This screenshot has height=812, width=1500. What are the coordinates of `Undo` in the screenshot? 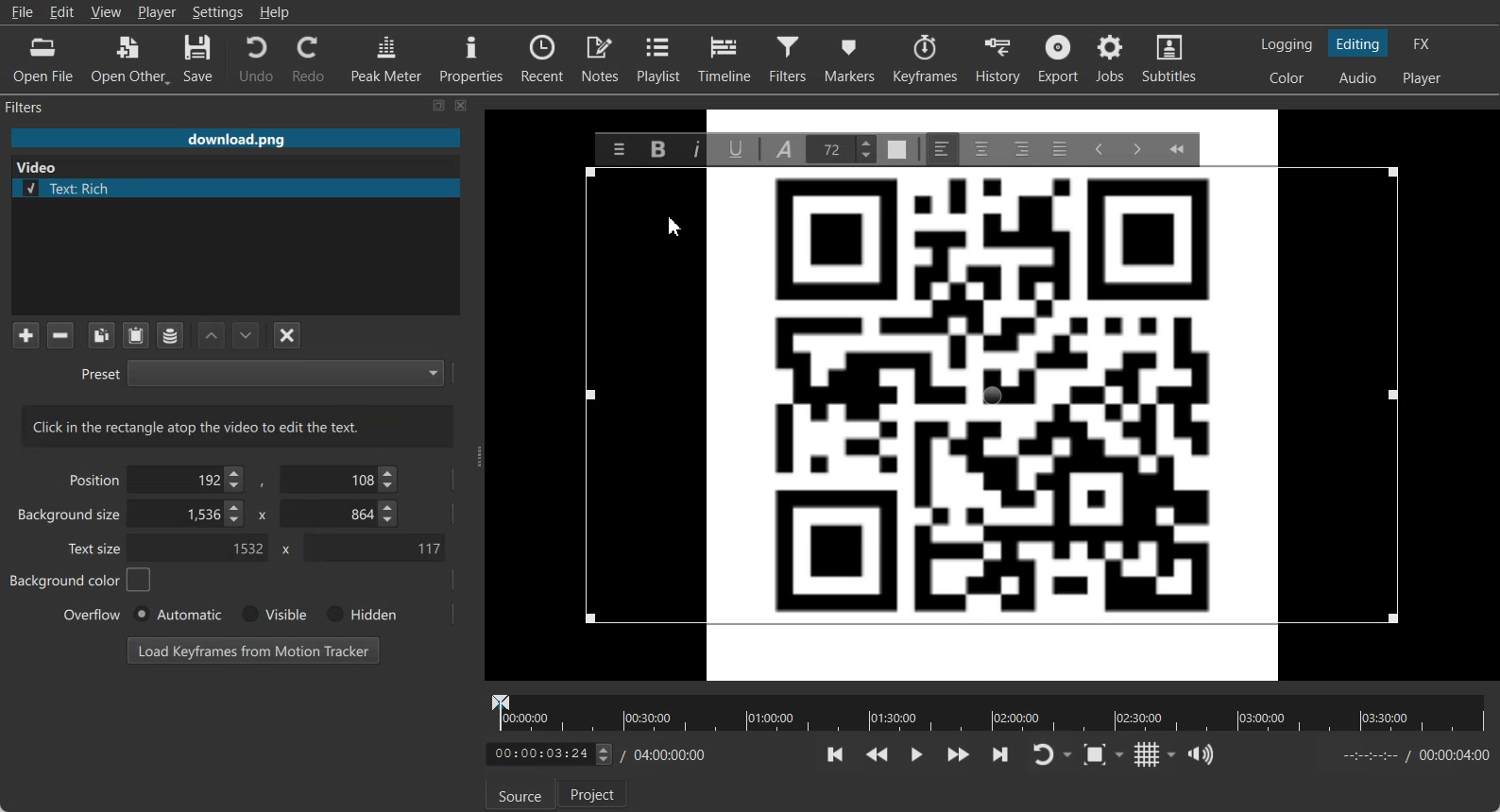 It's located at (256, 58).